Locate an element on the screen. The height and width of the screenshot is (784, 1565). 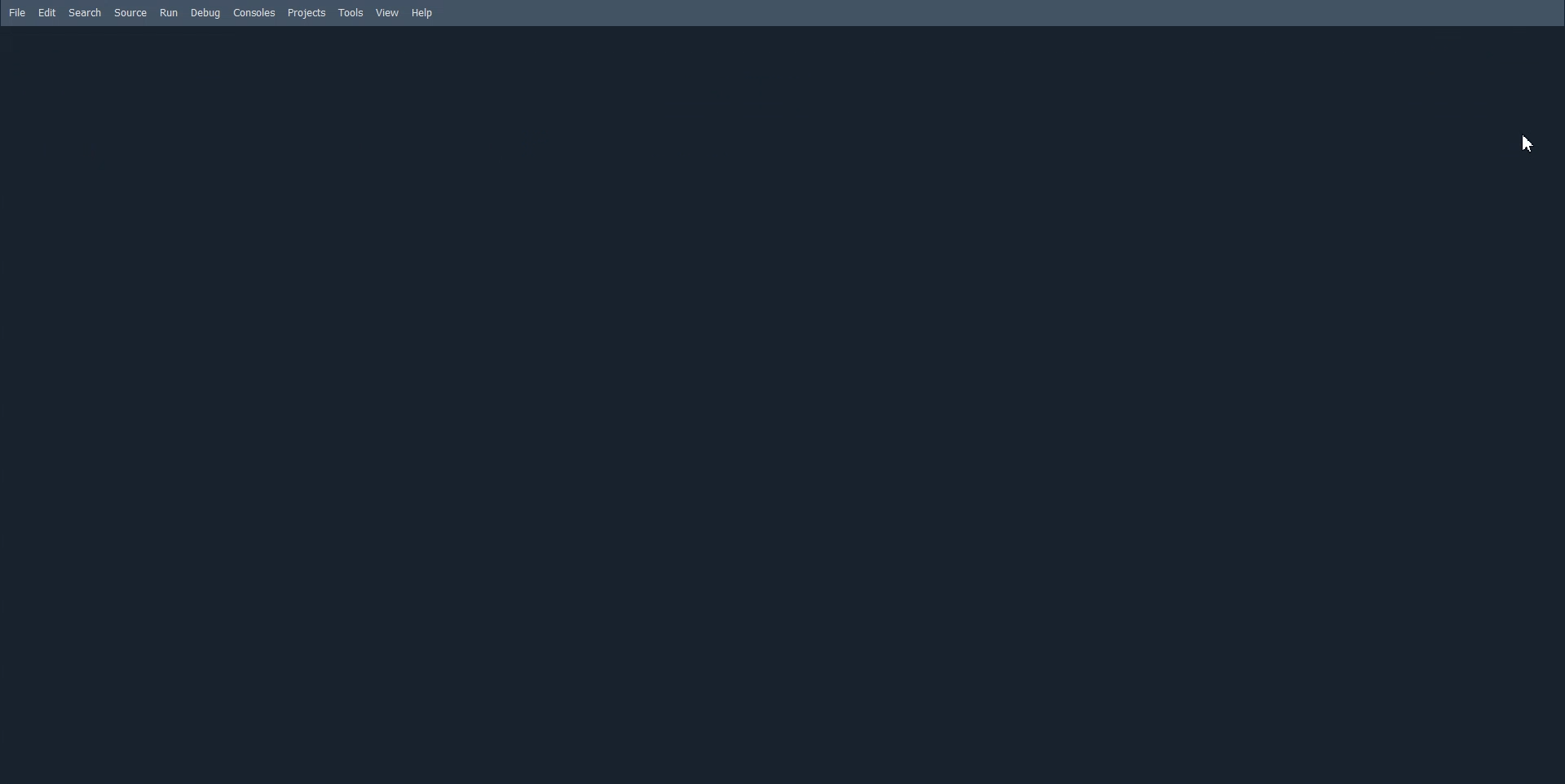
Search is located at coordinates (85, 12).